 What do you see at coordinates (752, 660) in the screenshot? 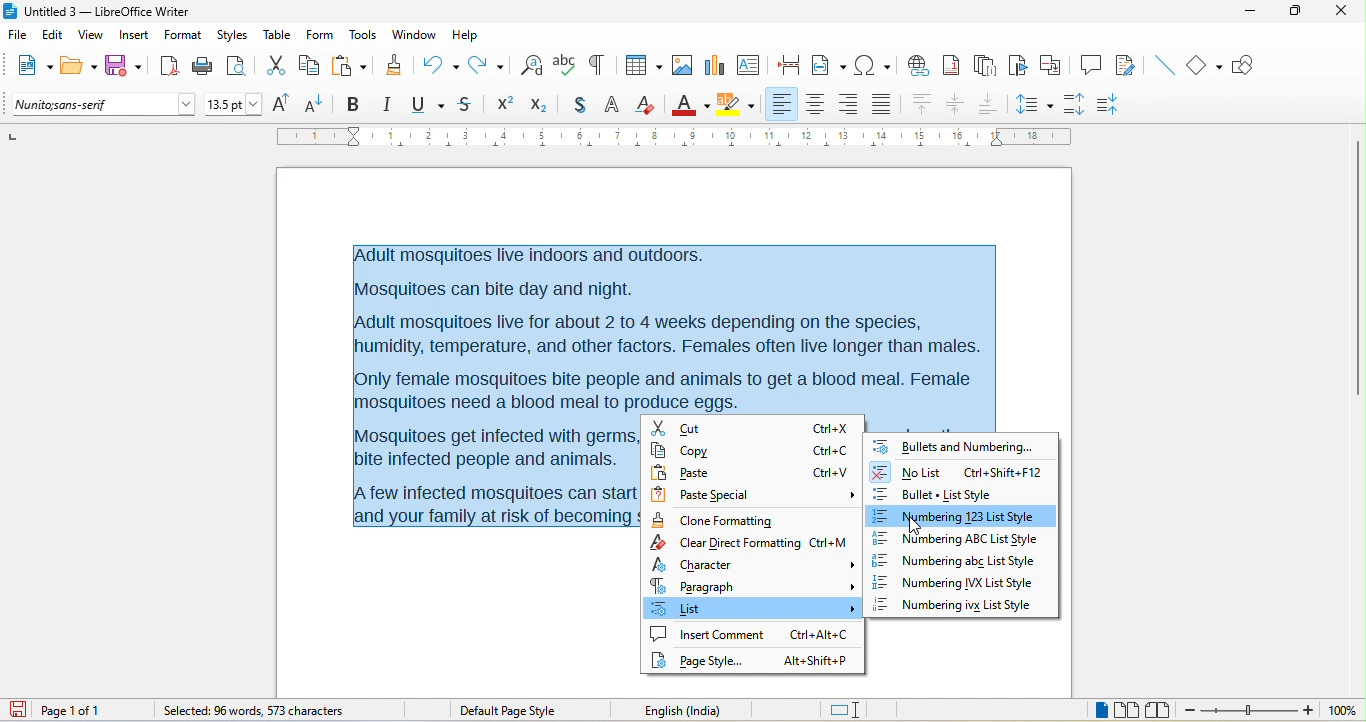
I see `page style` at bounding box center [752, 660].